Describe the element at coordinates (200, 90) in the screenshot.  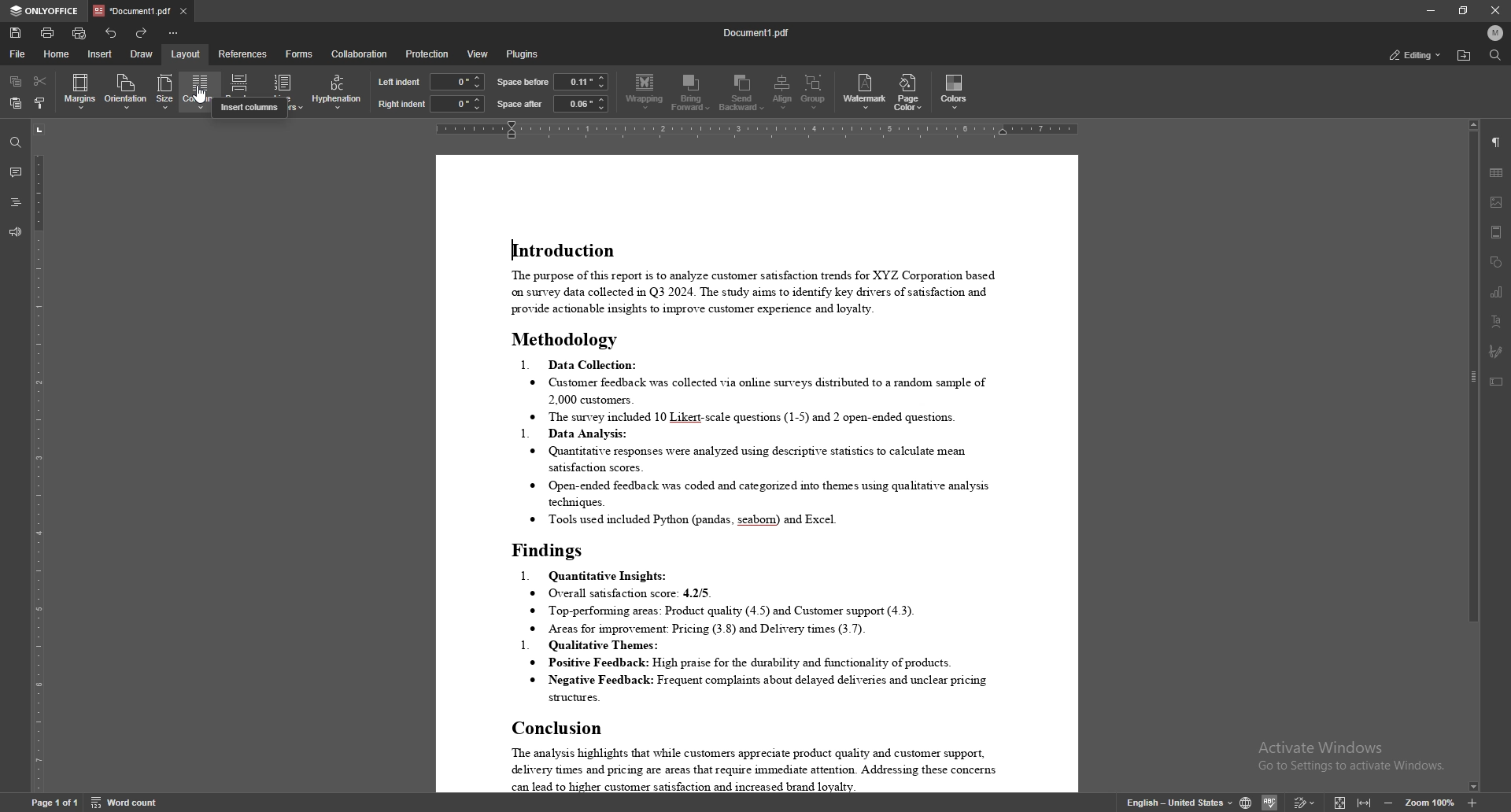
I see `columns` at that location.